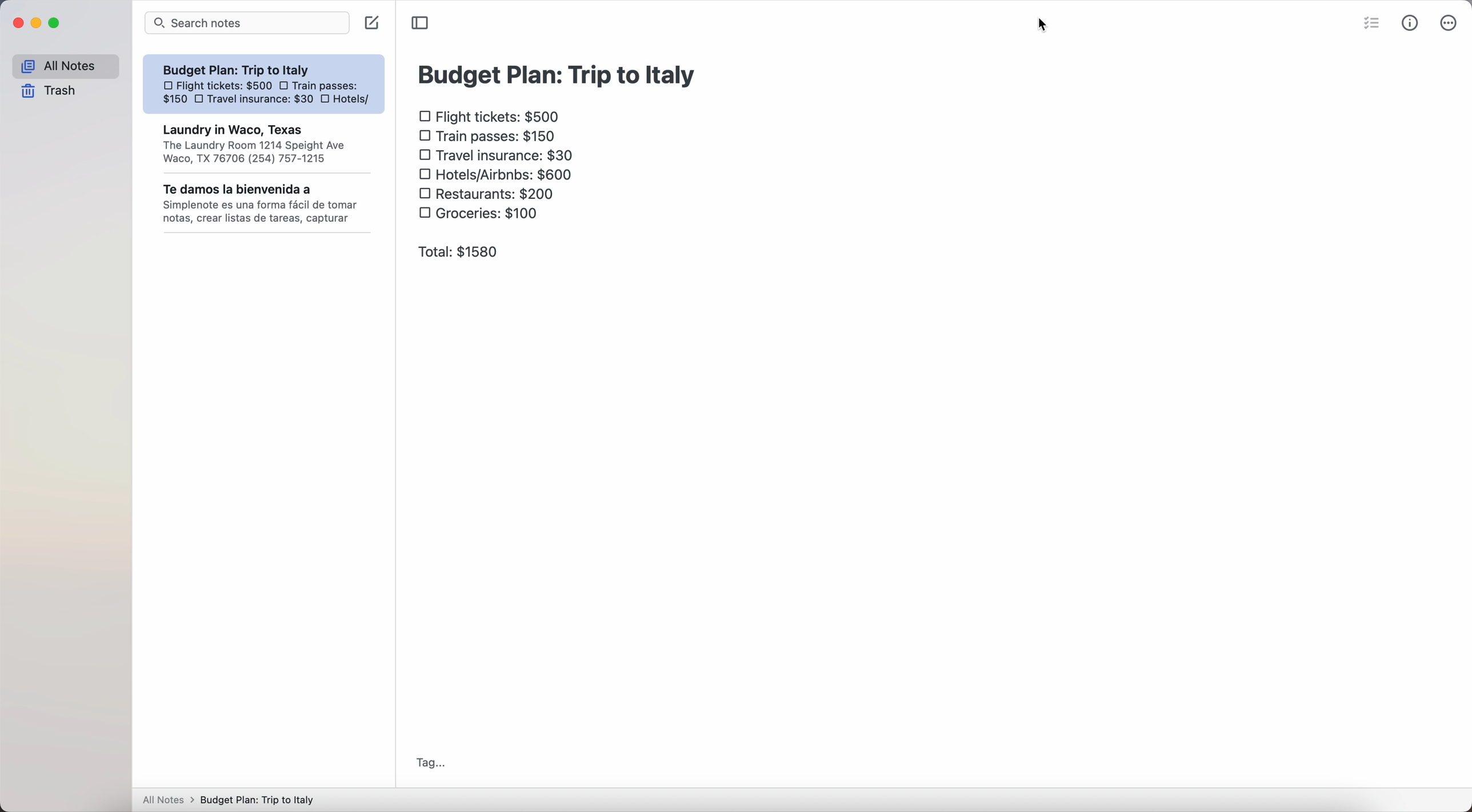 Image resolution: width=1472 pixels, height=812 pixels. Describe the element at coordinates (65, 67) in the screenshot. I see `All notes` at that location.